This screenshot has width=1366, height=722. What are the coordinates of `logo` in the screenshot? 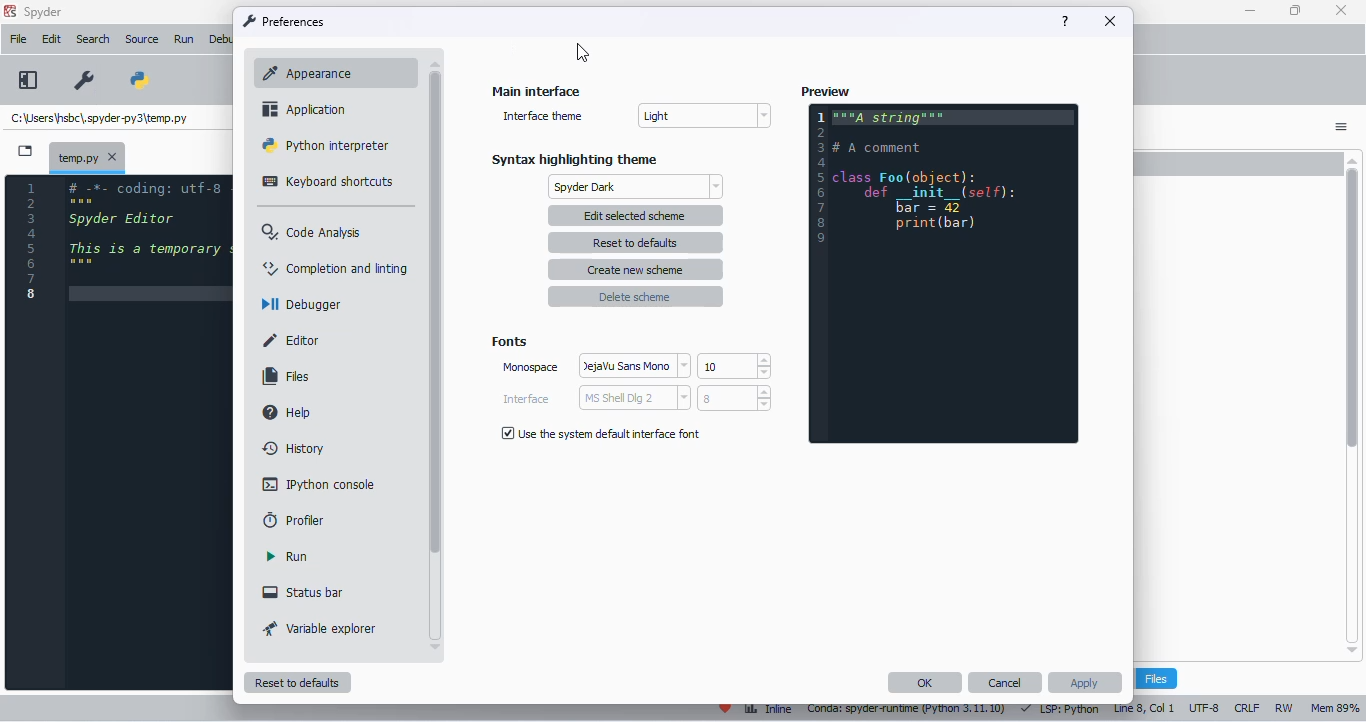 It's located at (10, 11).